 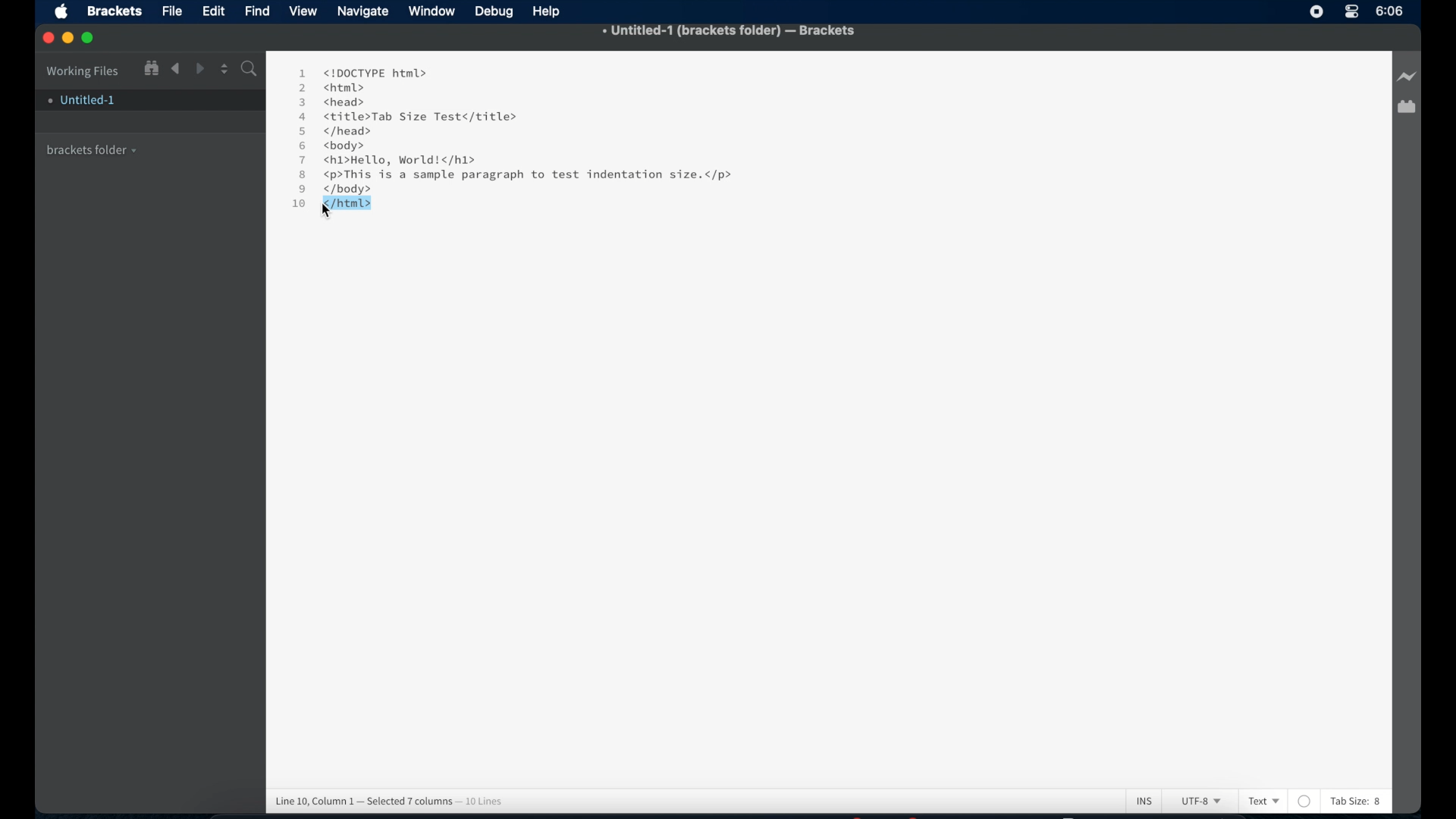 I want to click on 6:06, so click(x=1390, y=11).